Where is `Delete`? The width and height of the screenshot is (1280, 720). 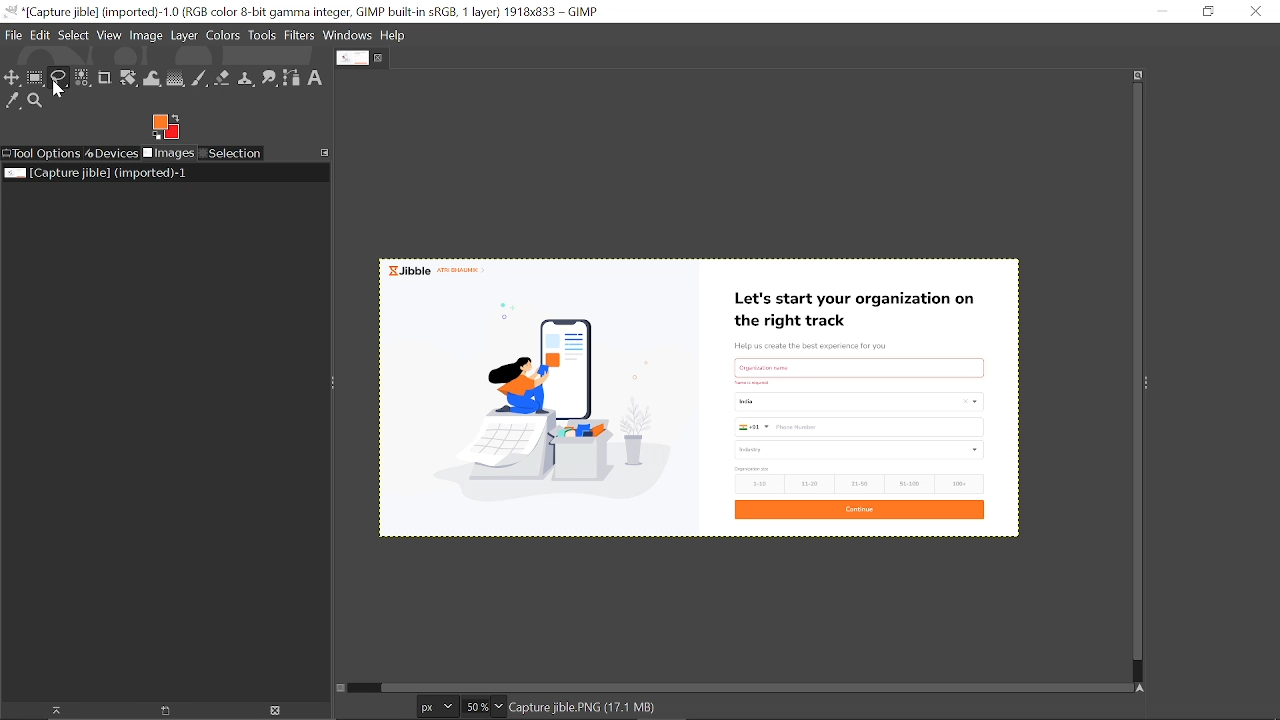 Delete is located at coordinates (274, 711).